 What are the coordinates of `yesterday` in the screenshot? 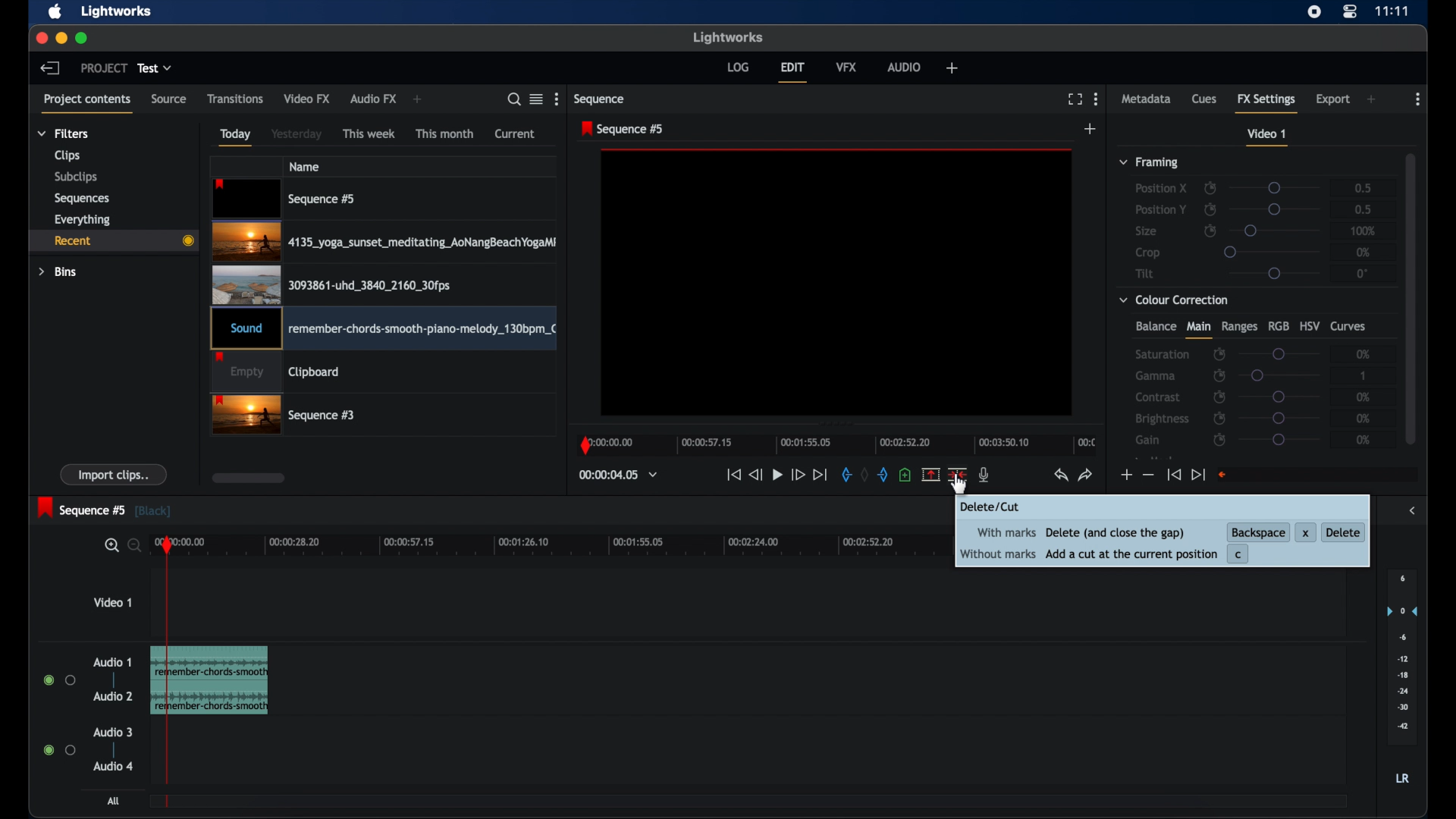 It's located at (297, 133).